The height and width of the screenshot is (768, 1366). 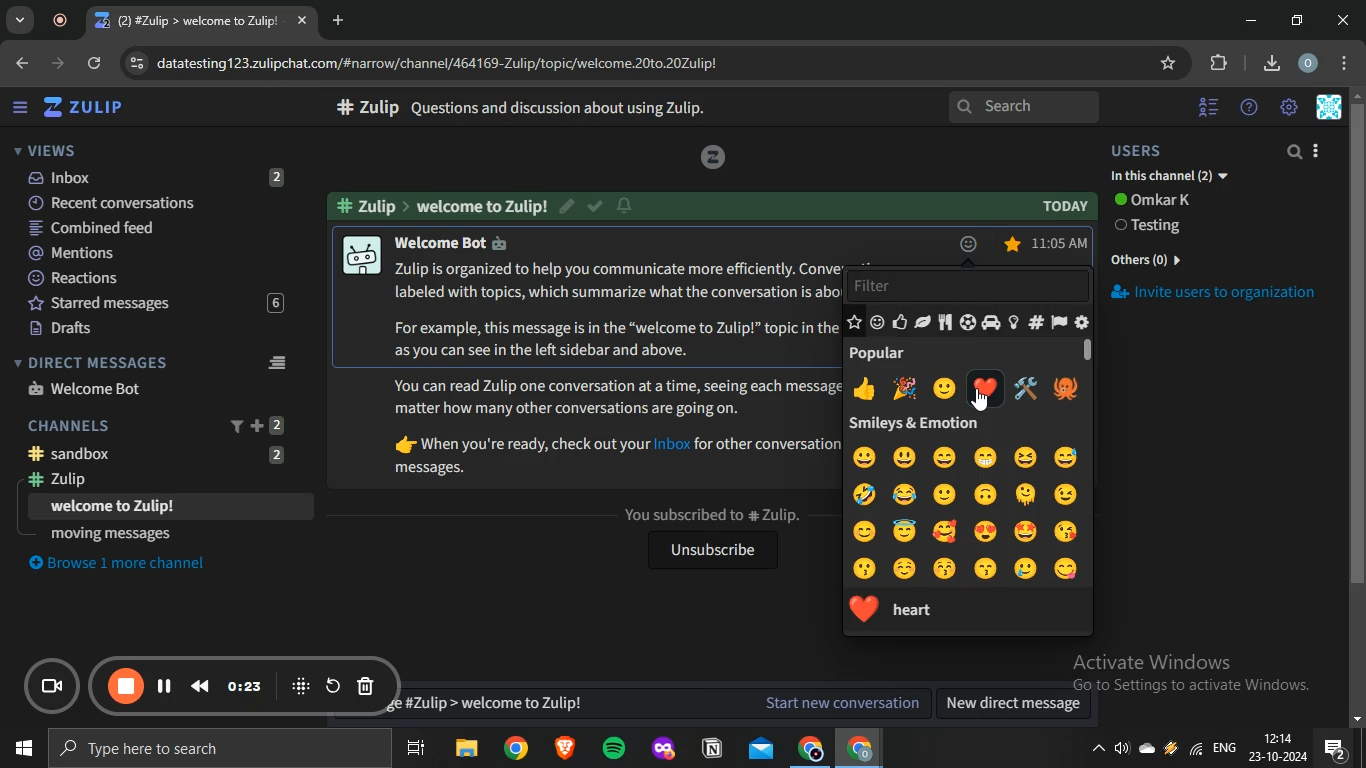 I want to click on channels, so click(x=158, y=424).